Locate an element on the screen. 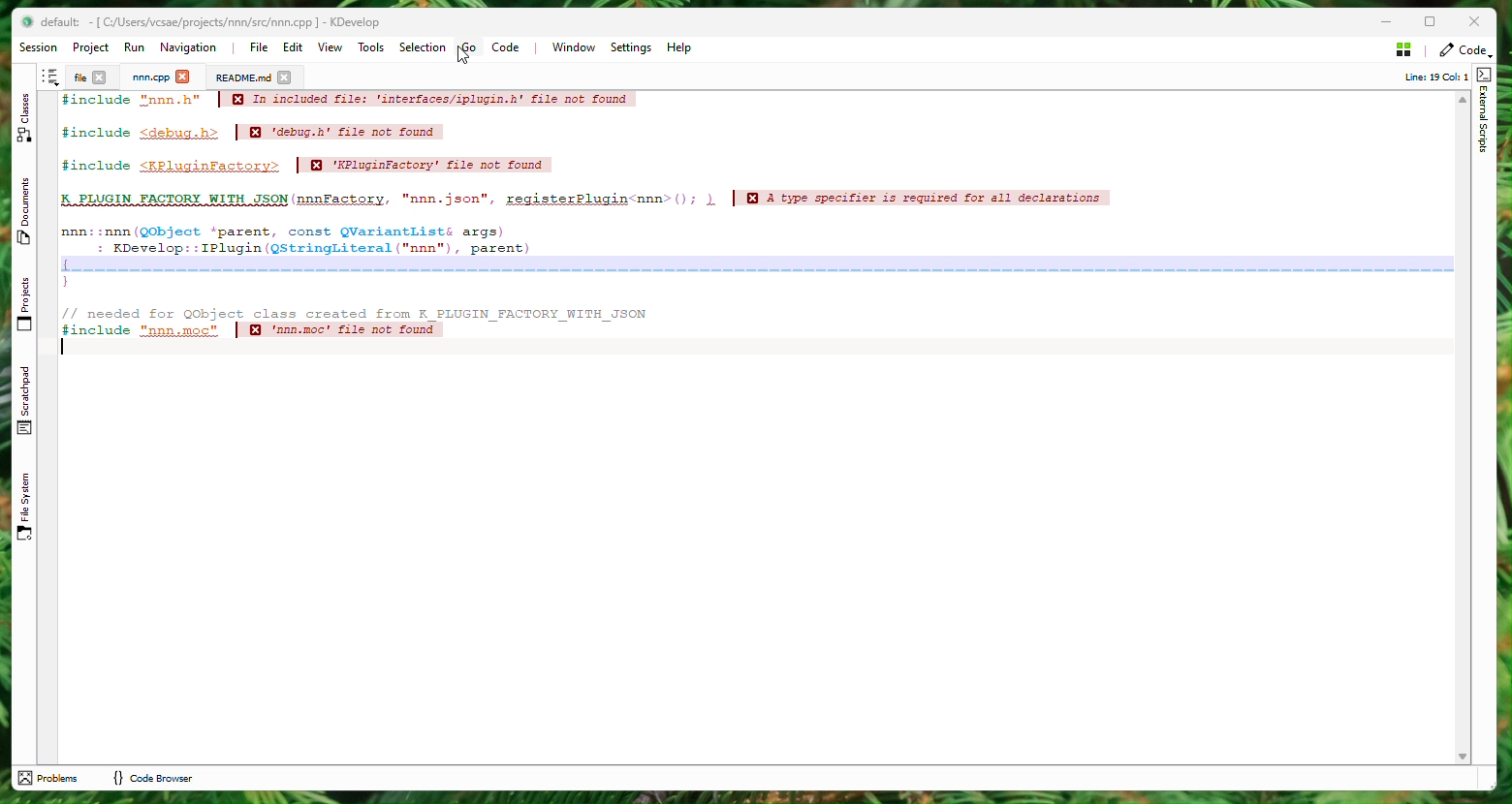 Image resolution: width=1512 pixels, height=804 pixels. Settings is located at coordinates (632, 48).